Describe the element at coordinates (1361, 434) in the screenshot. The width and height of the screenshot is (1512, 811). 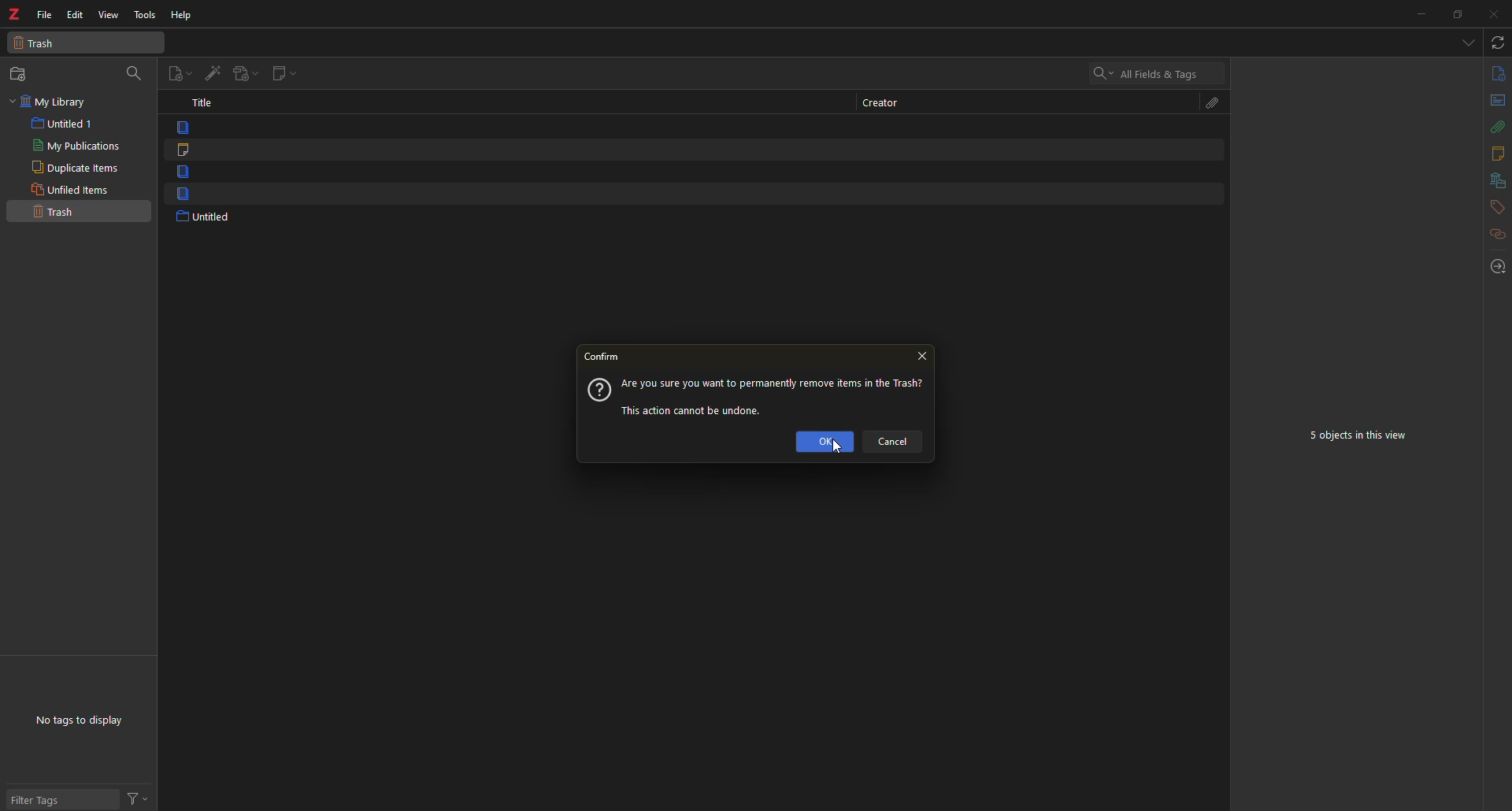
I see `5 objects` at that location.